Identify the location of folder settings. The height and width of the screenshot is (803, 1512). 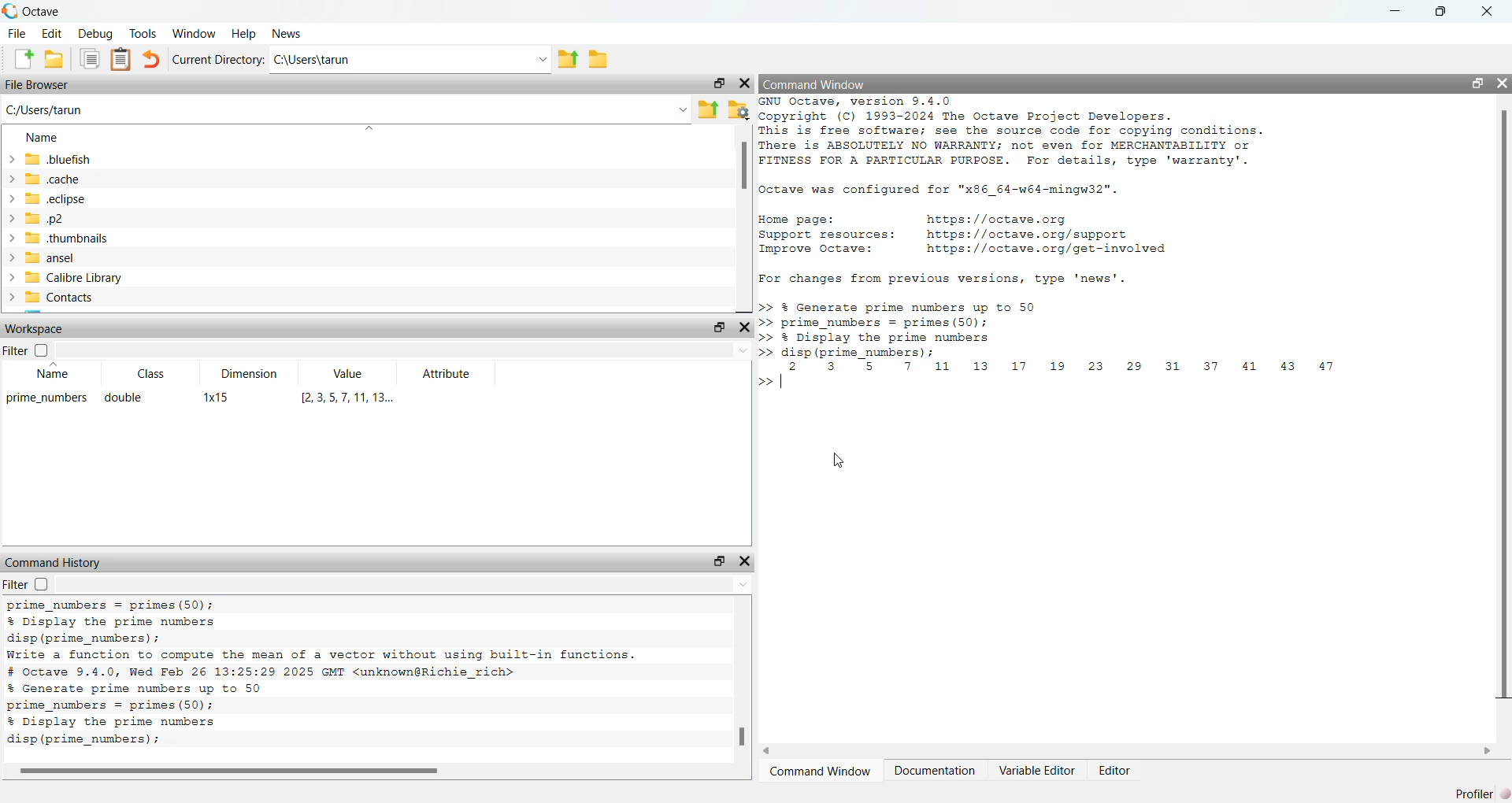
(739, 111).